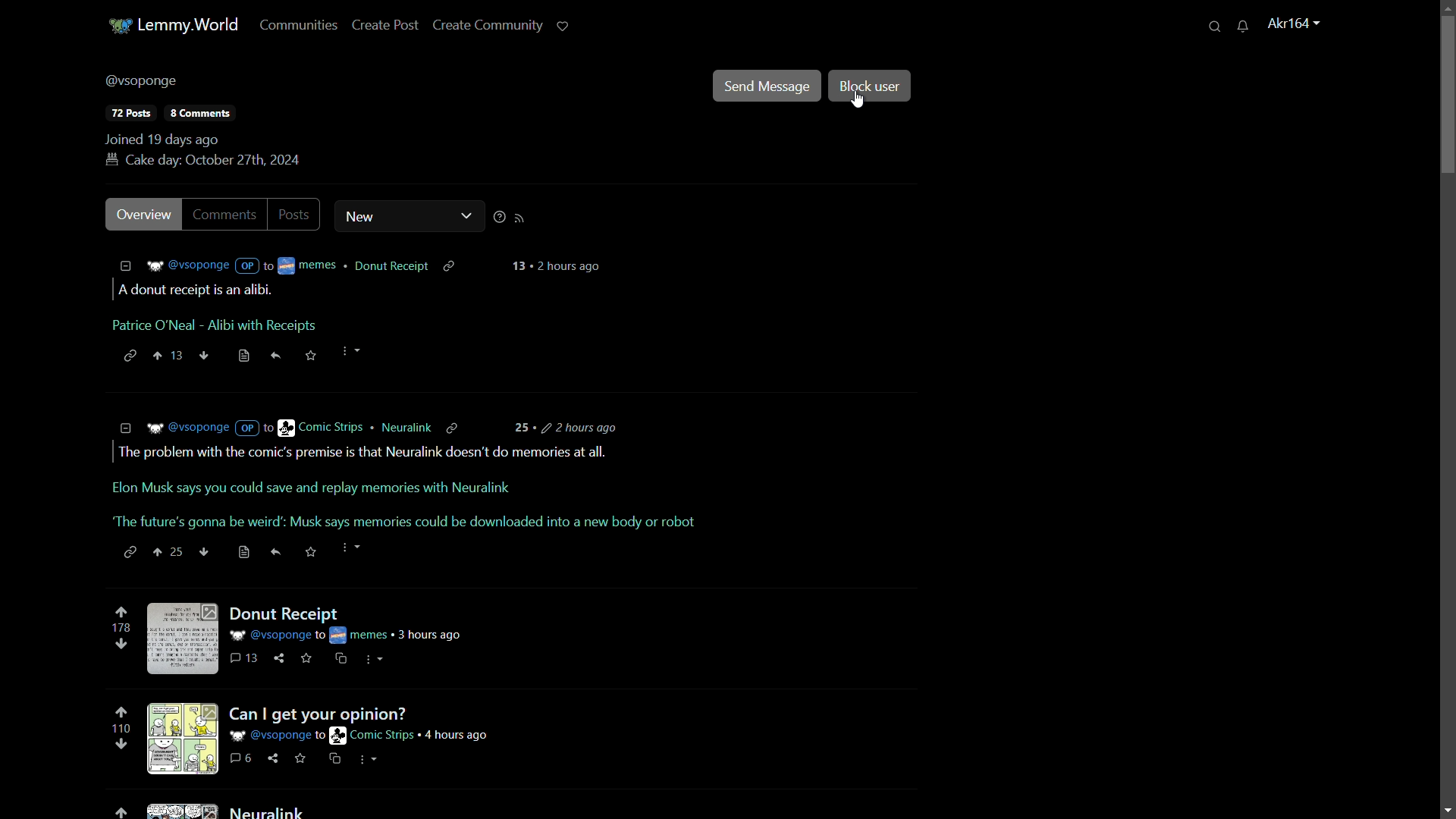  What do you see at coordinates (561, 266) in the screenshot?
I see `time` at bounding box center [561, 266].